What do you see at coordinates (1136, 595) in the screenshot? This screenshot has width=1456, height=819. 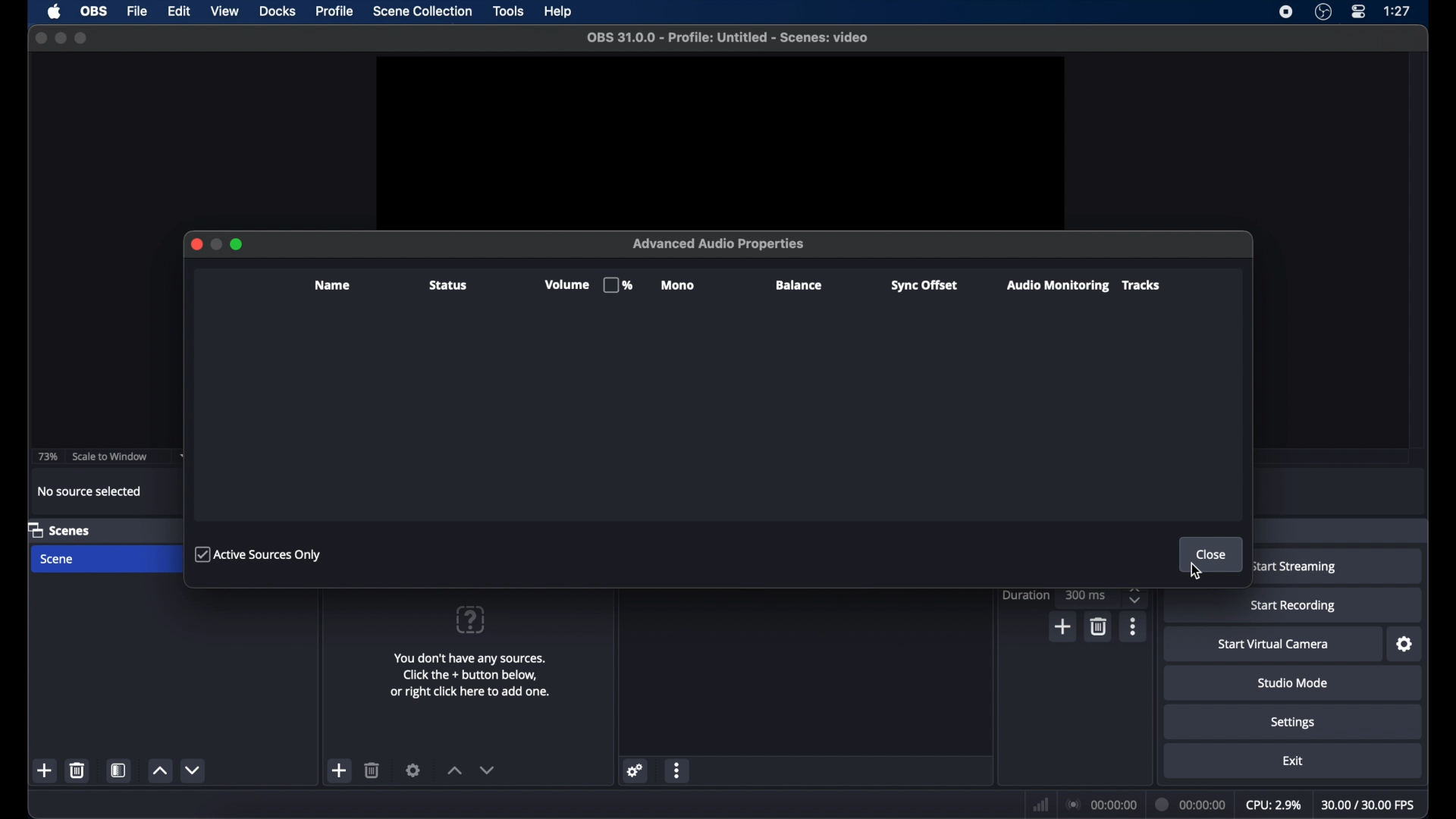 I see `stepper buttons` at bounding box center [1136, 595].